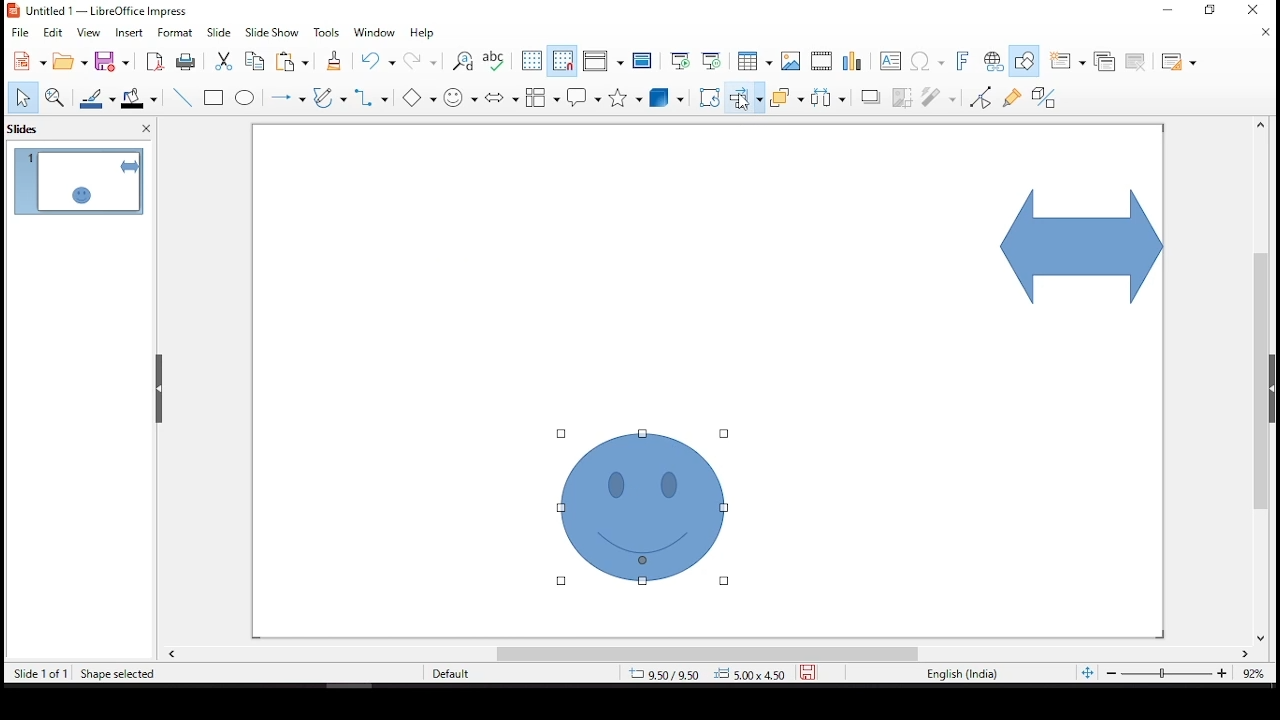  I want to click on zoom slider, so click(1167, 673).